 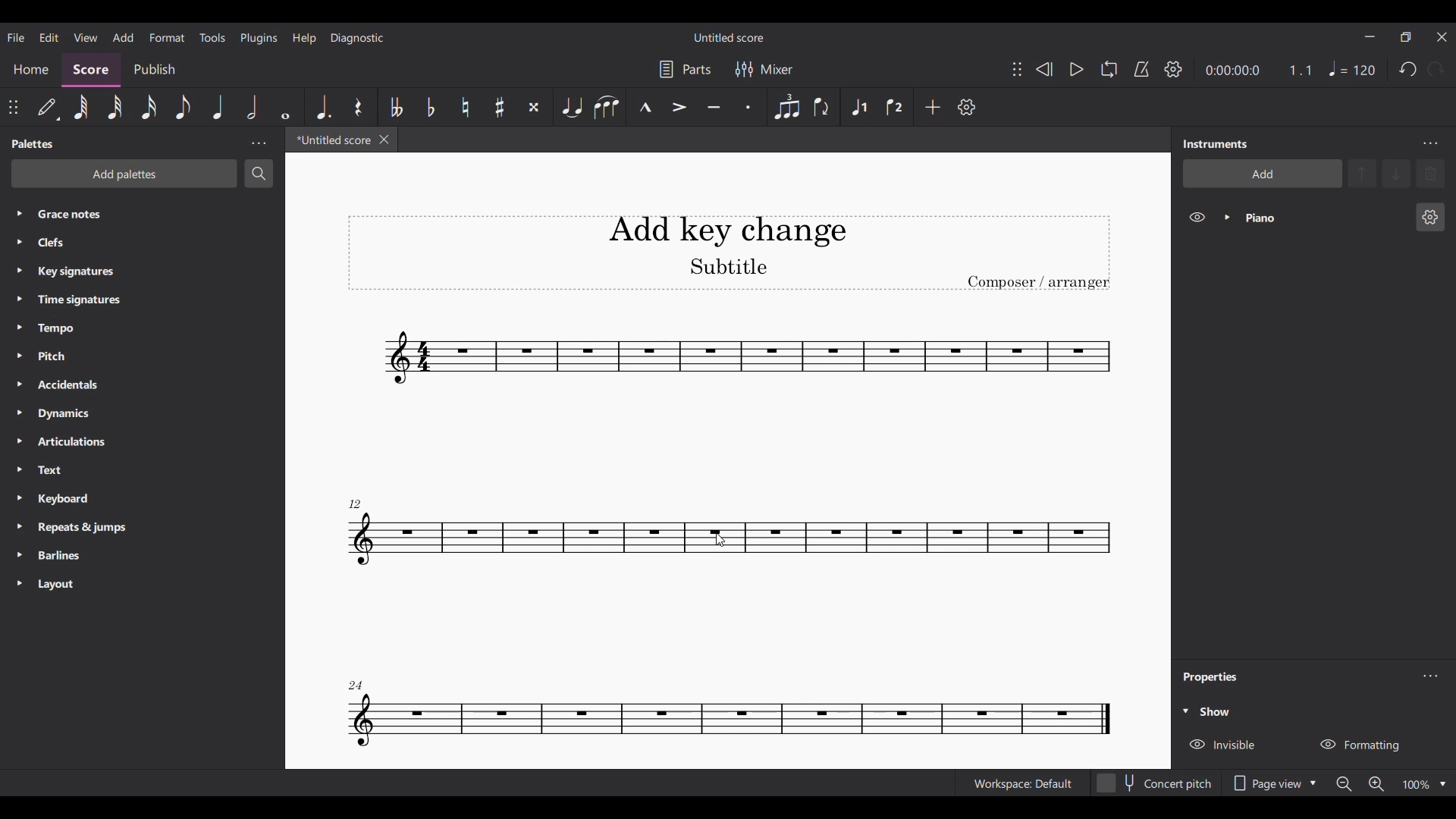 I want to click on Zoom out, so click(x=1344, y=784).